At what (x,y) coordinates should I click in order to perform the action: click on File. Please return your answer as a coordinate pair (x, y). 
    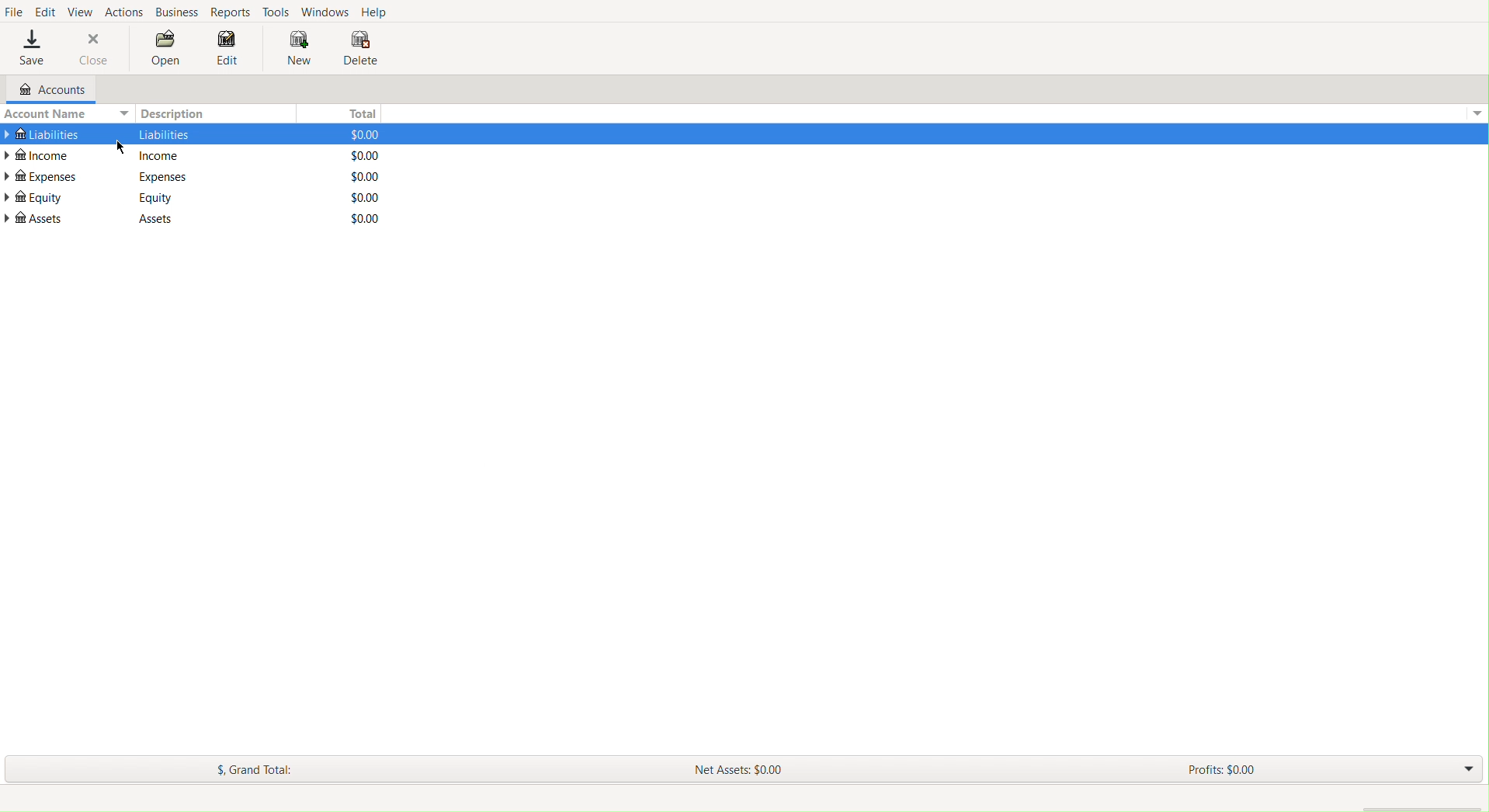
    Looking at the image, I should click on (14, 12).